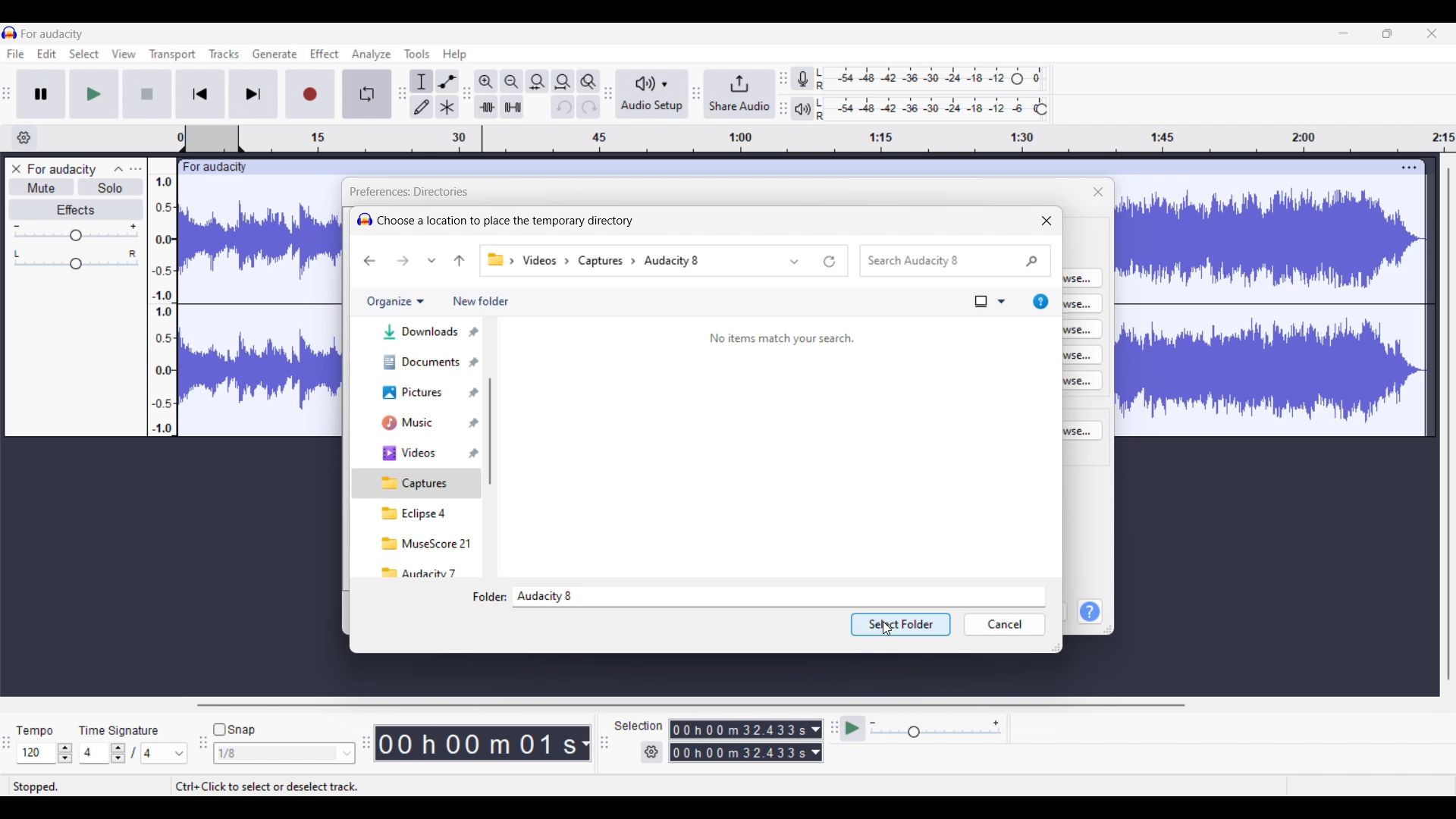 Image resolution: width=1456 pixels, height=819 pixels. What do you see at coordinates (912, 79) in the screenshot?
I see `Recording level` at bounding box center [912, 79].